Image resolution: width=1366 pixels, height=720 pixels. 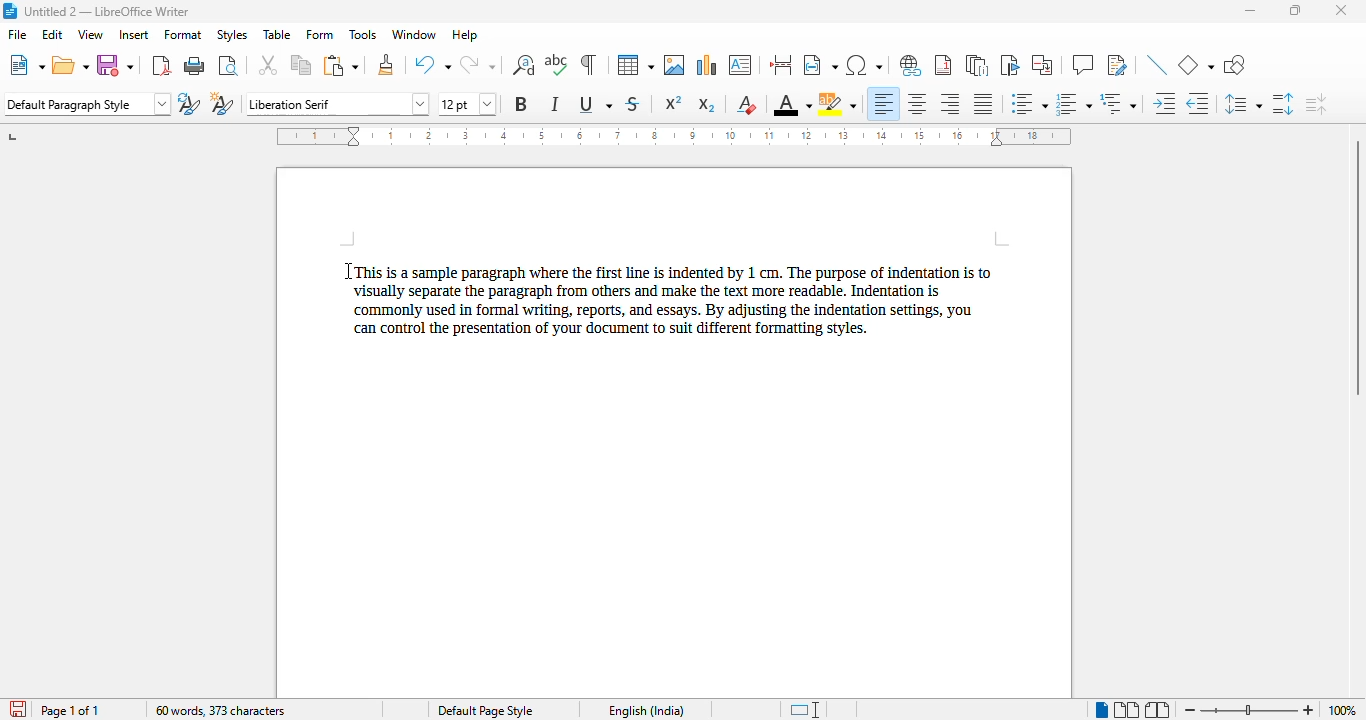 I want to click on print, so click(x=195, y=65).